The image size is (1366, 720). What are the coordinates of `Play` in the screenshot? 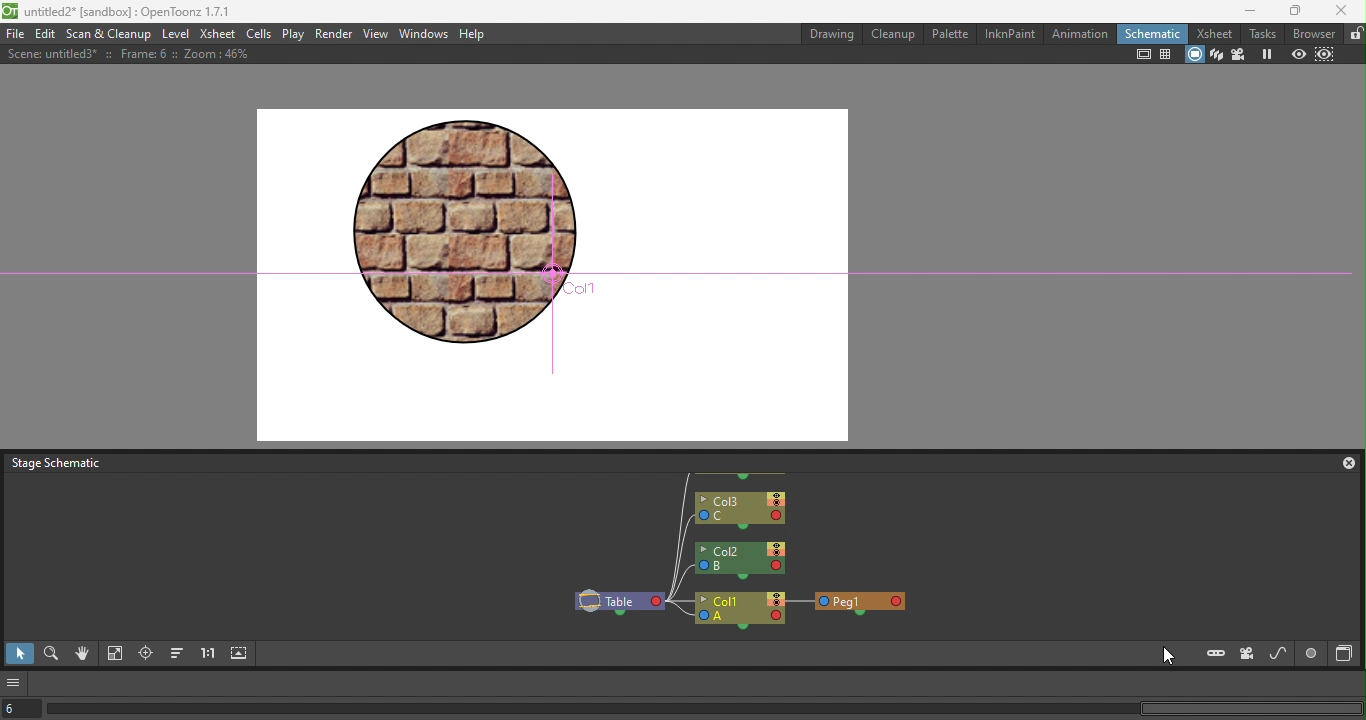 It's located at (293, 34).